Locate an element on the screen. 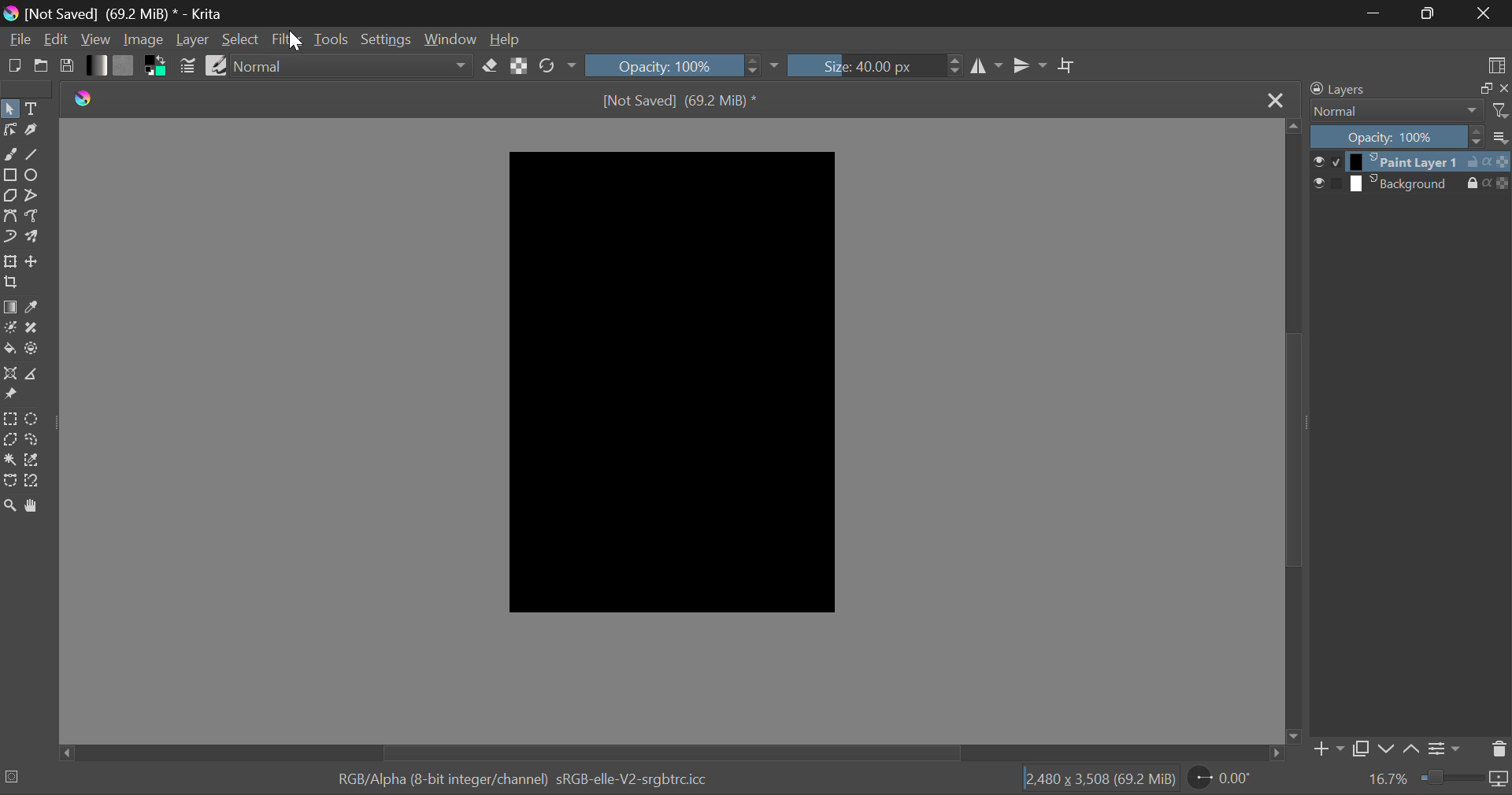 This screenshot has height=795, width=1512. Polyline is located at coordinates (34, 195).